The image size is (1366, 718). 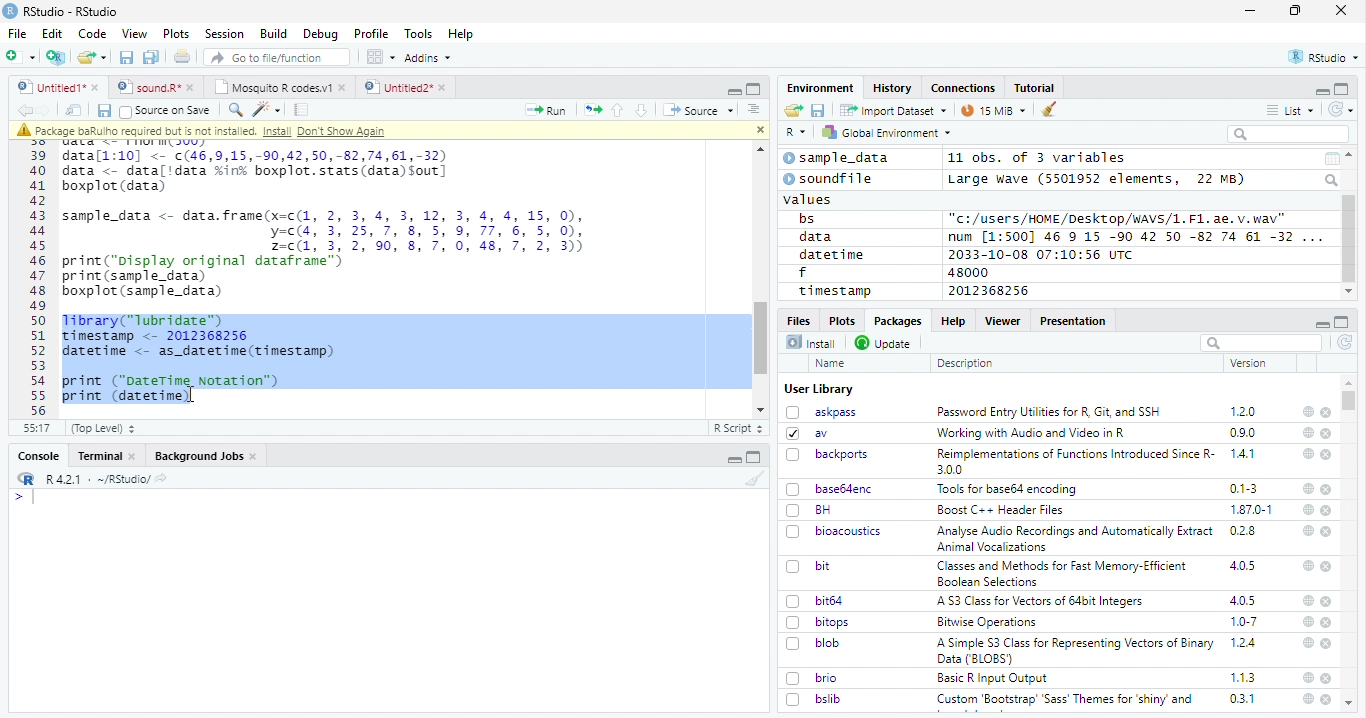 I want to click on (Classes and Methods for Fast Memory-Efficient
Boolean Selections, so click(x=1064, y=573).